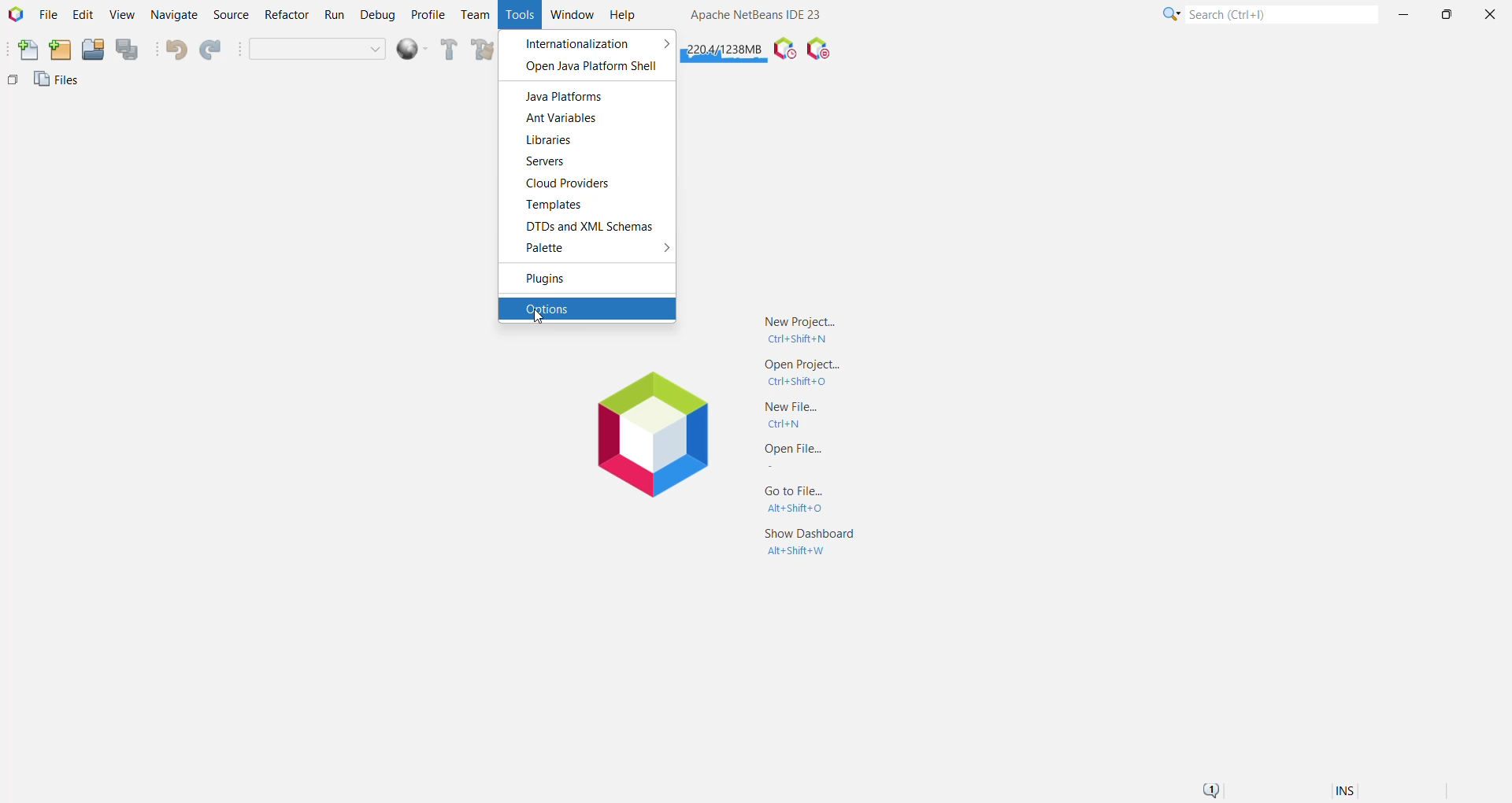 This screenshot has height=803, width=1512. Describe the element at coordinates (664, 249) in the screenshot. I see `More Options` at that location.